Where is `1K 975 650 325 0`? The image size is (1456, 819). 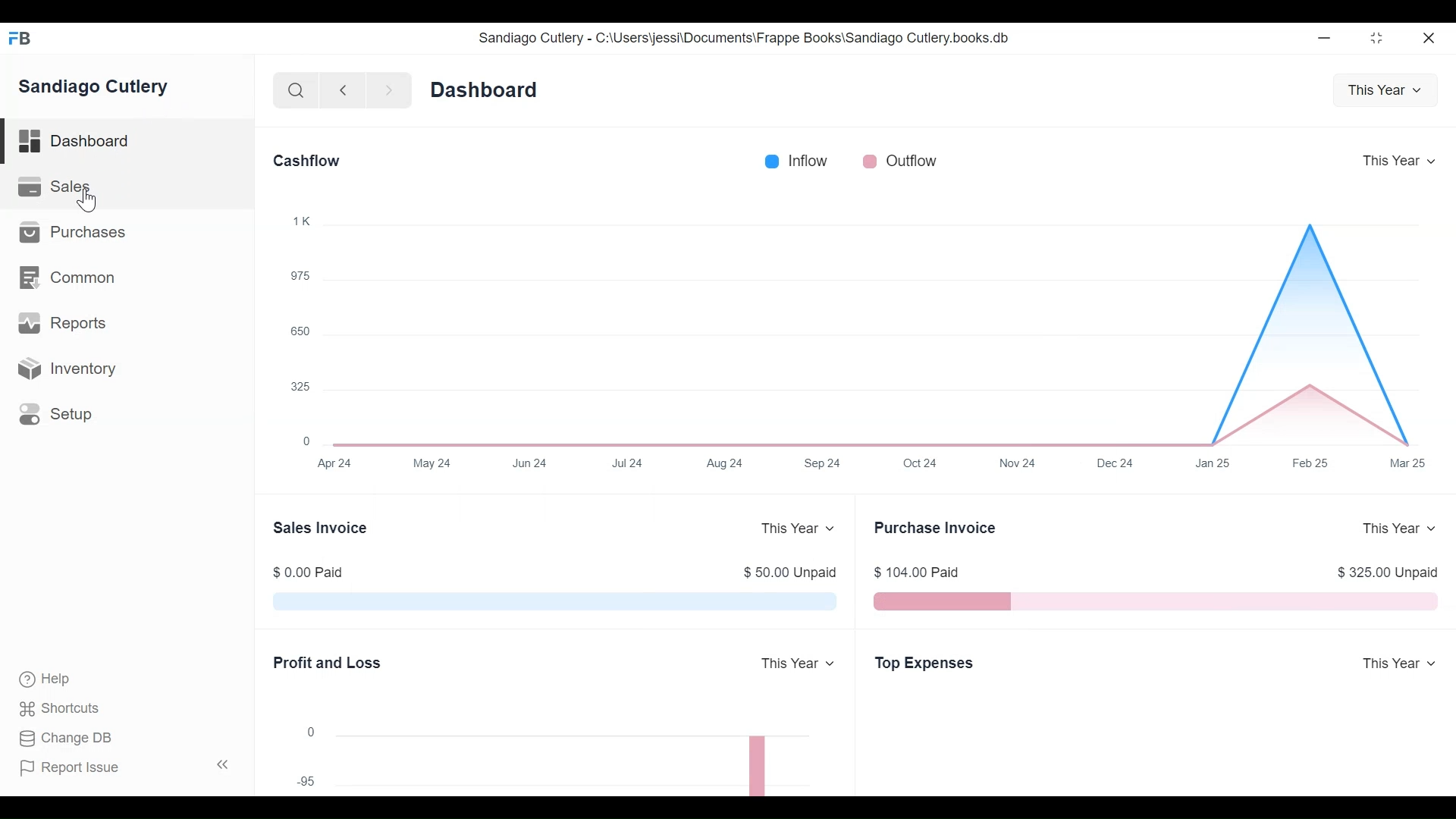
1K 975 650 325 0 is located at coordinates (301, 327).